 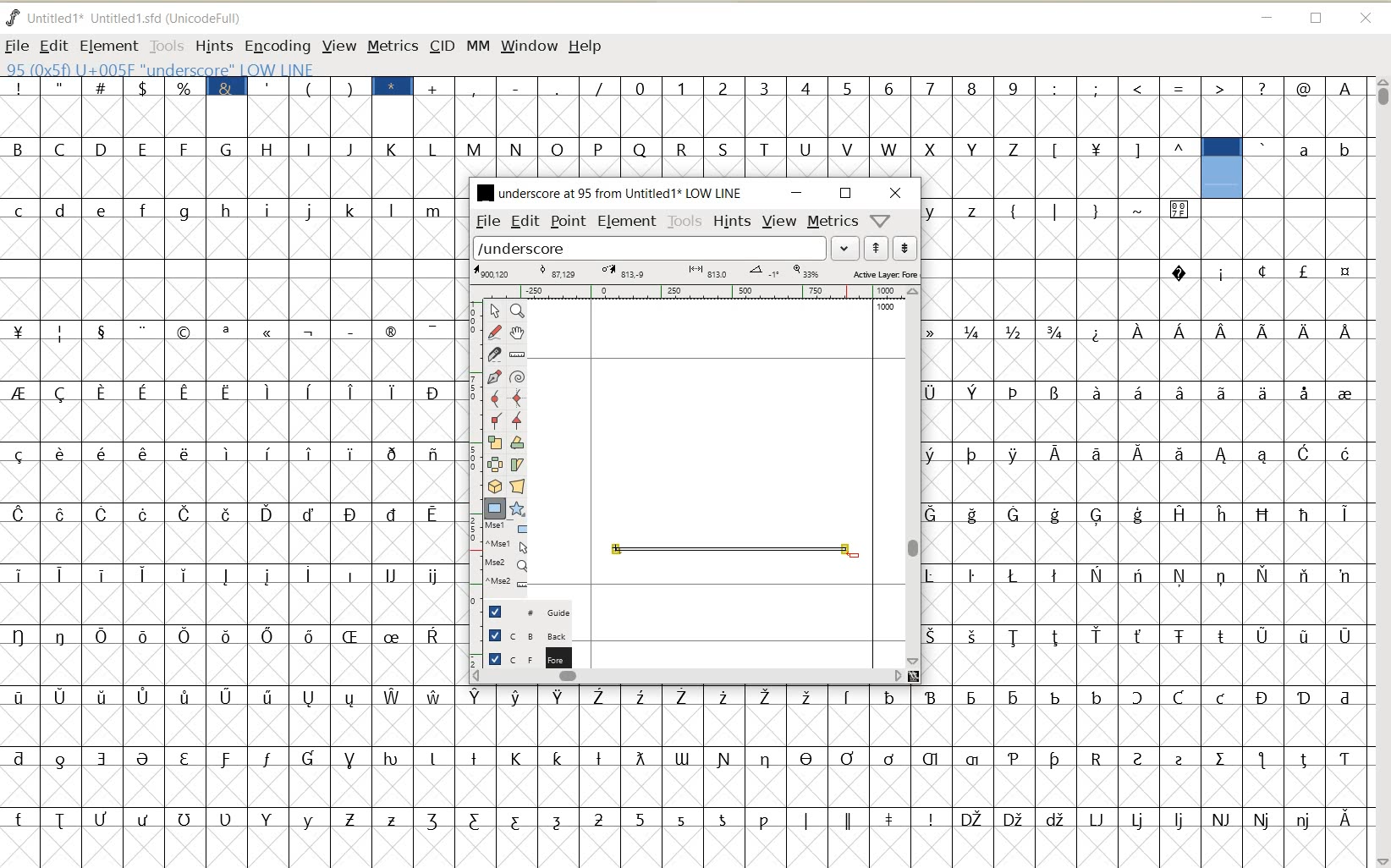 What do you see at coordinates (277, 47) in the screenshot?
I see `ENCODING` at bounding box center [277, 47].